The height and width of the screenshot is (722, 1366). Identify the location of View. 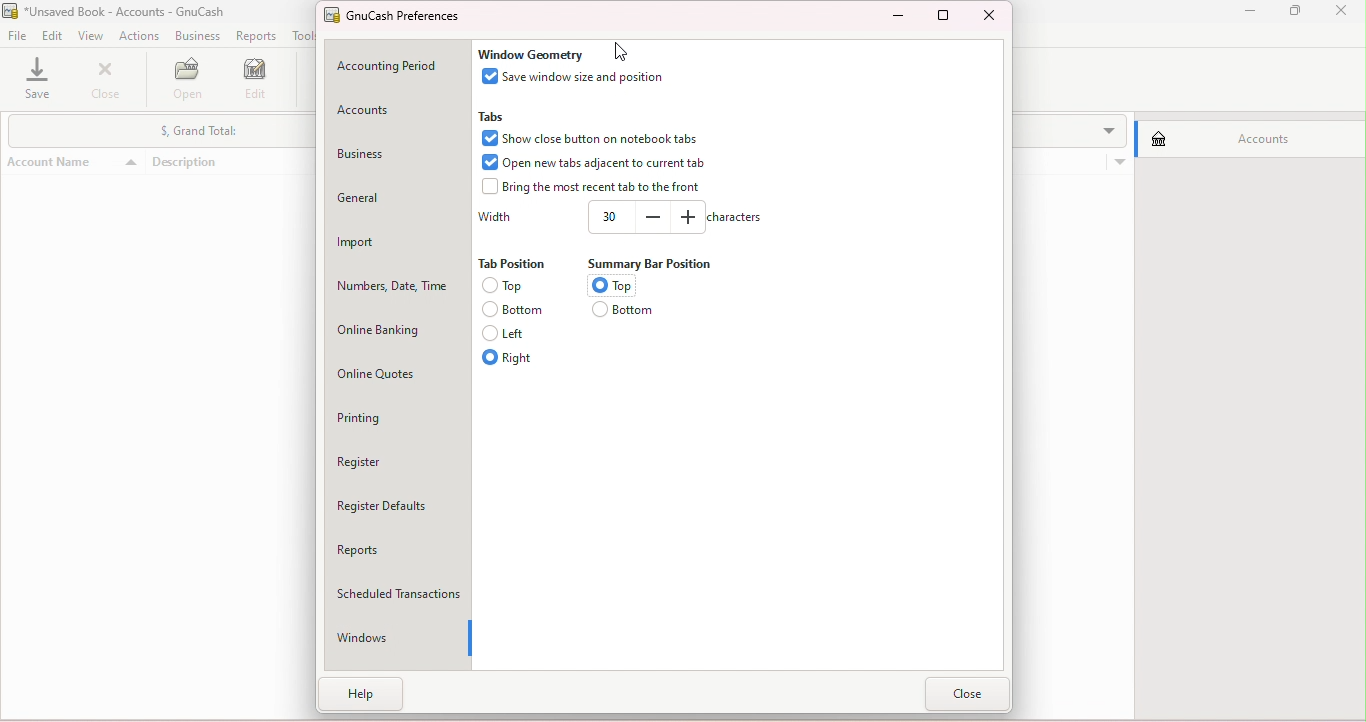
(91, 37).